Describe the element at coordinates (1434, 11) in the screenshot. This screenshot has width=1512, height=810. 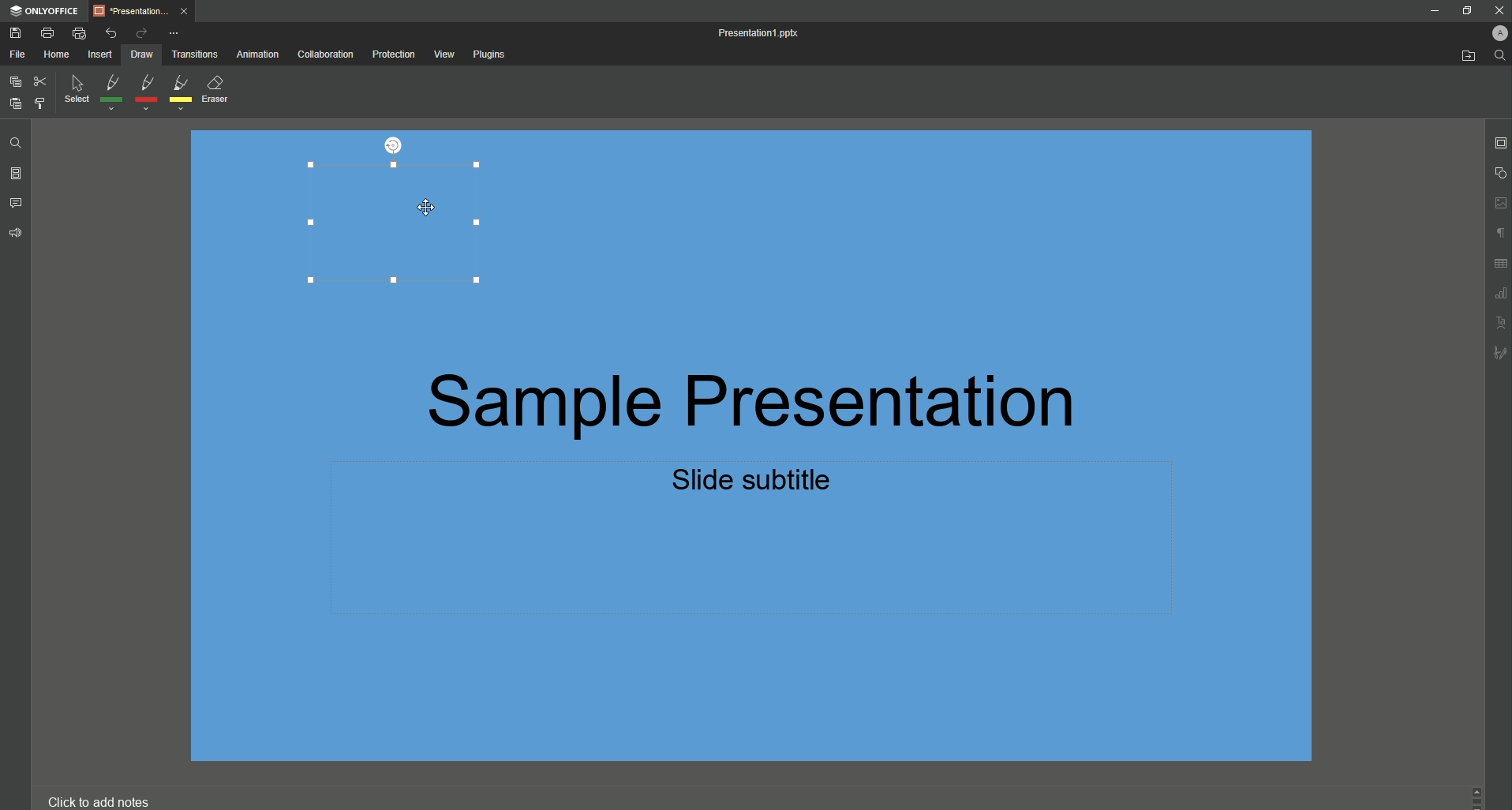
I see `Minimize` at that location.